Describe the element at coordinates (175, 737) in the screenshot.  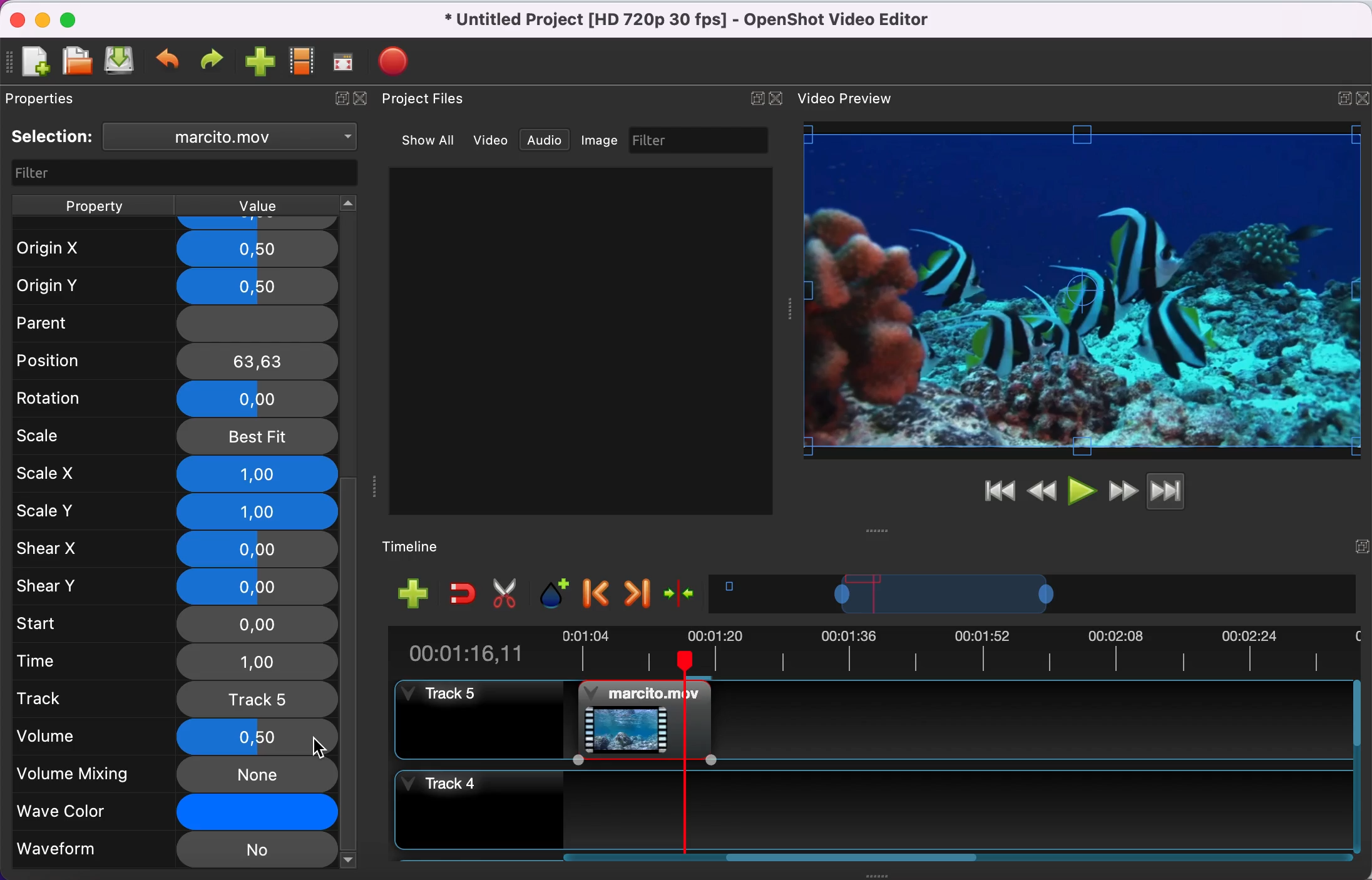
I see `volume 0,5` at that location.